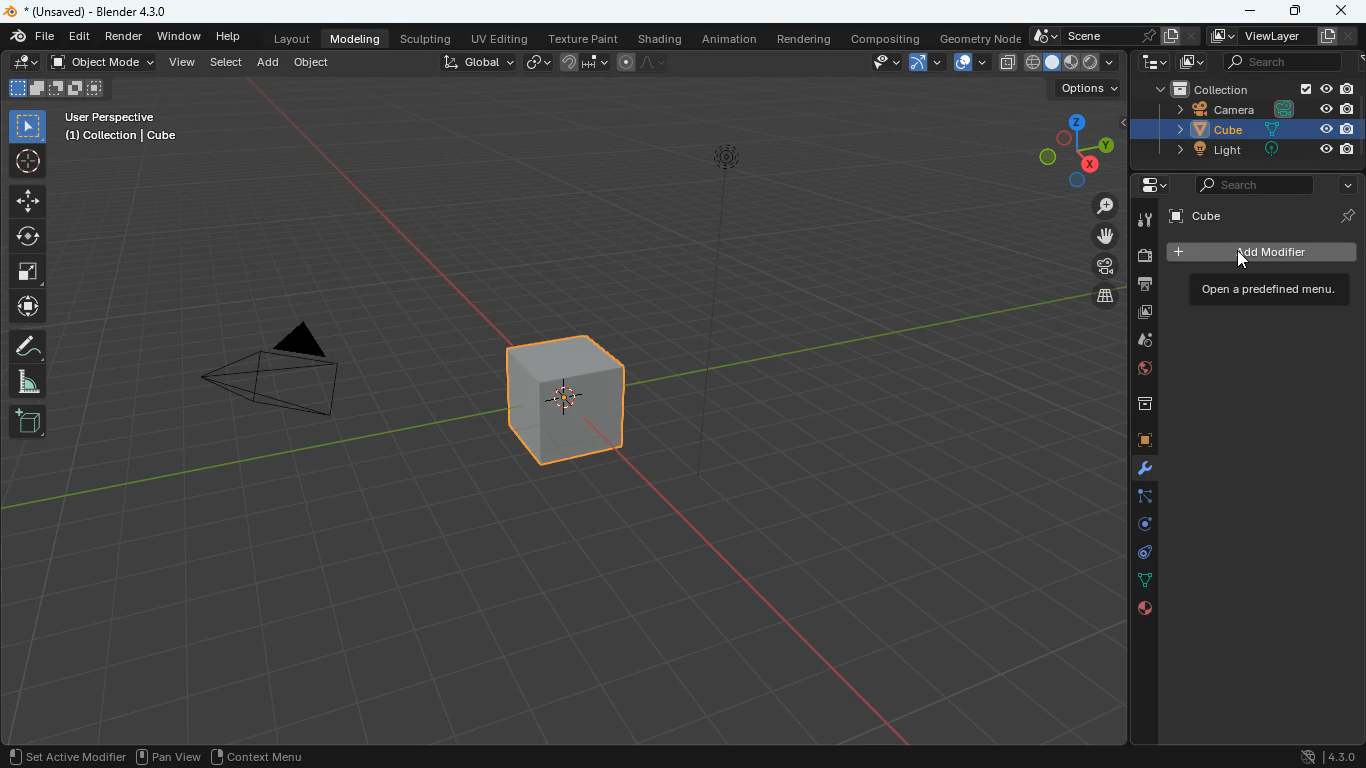 The width and height of the screenshot is (1366, 768). What do you see at coordinates (359, 39) in the screenshot?
I see `modeling` at bounding box center [359, 39].